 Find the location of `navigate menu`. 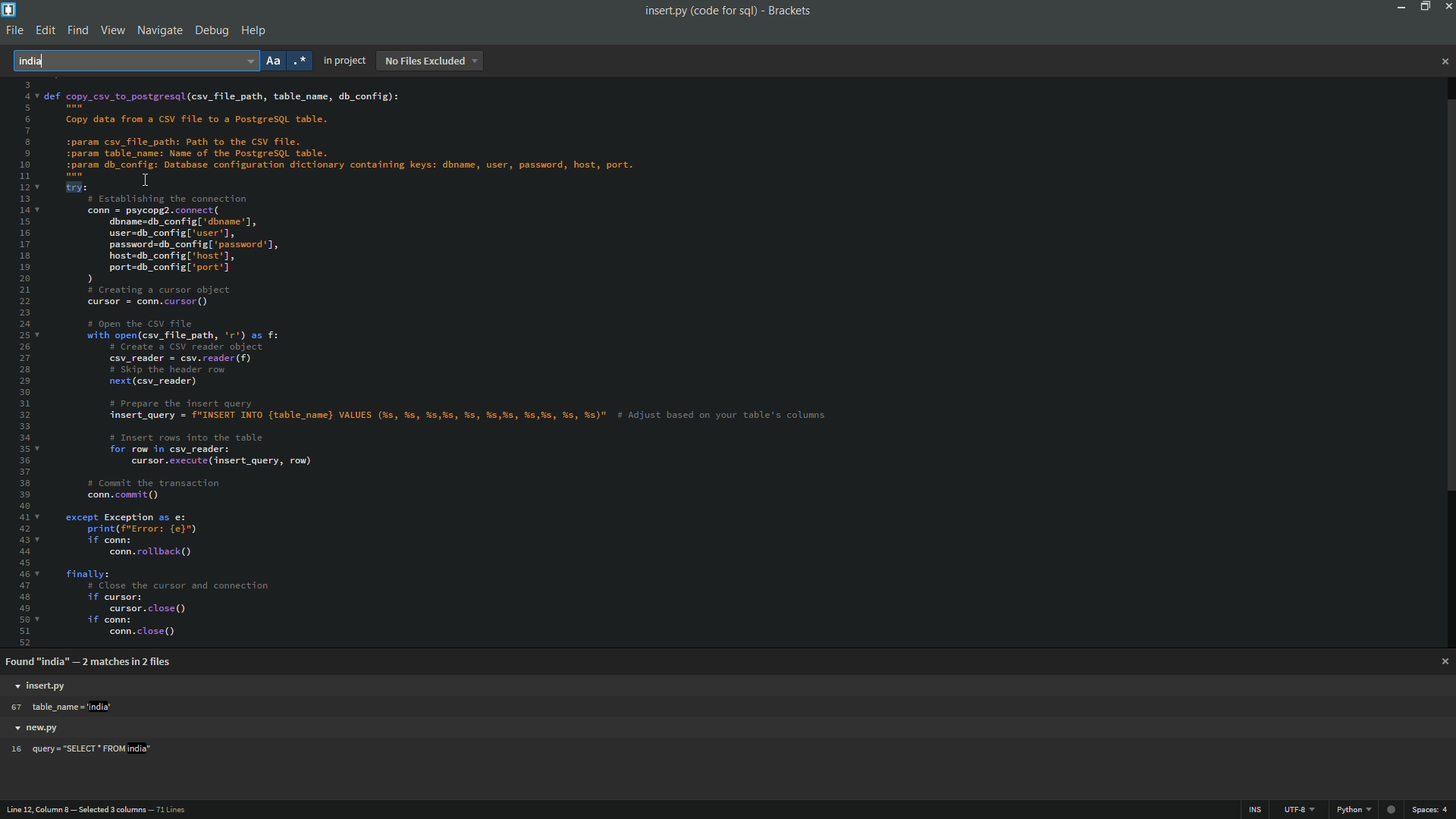

navigate menu is located at coordinates (158, 32).